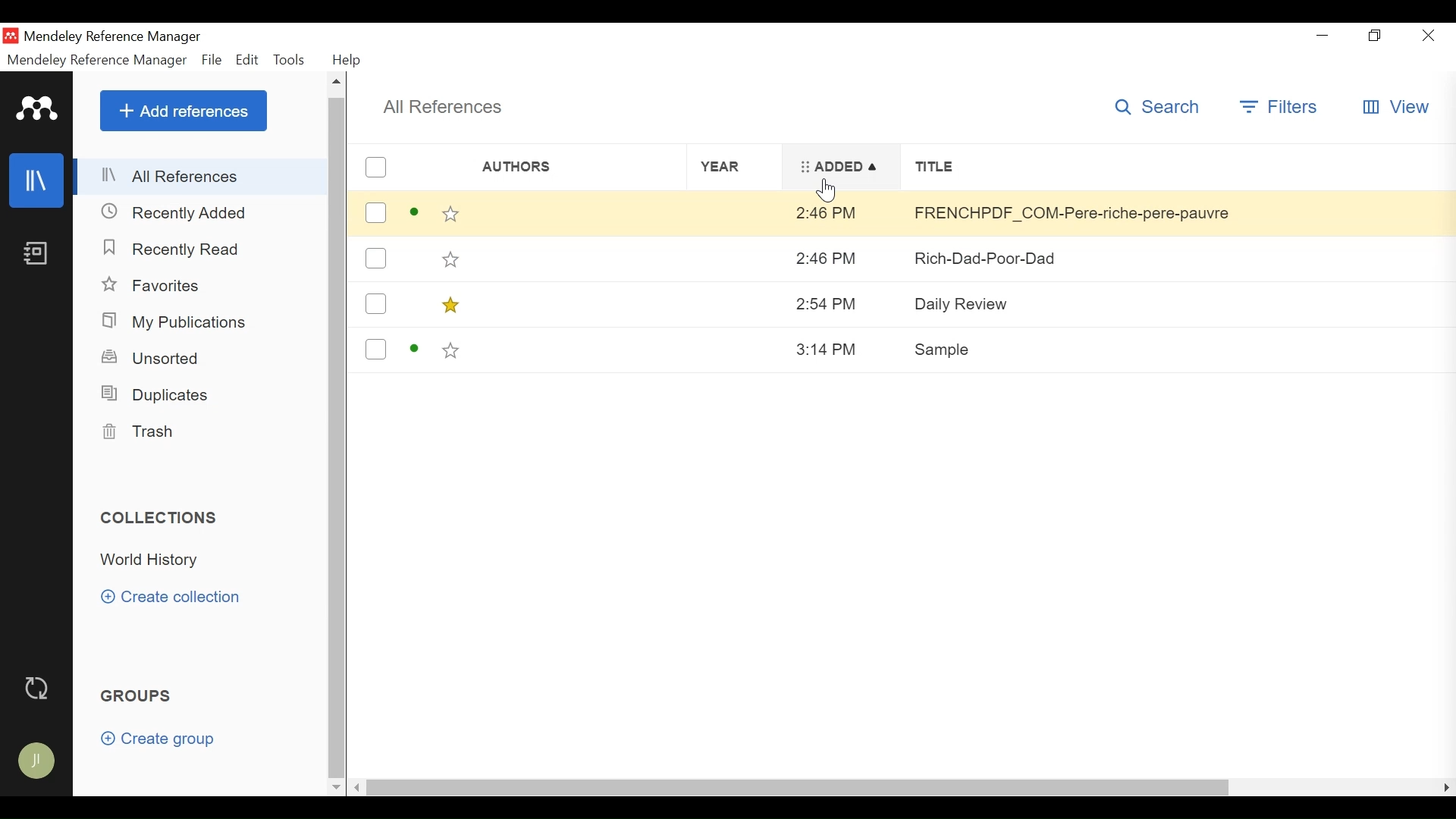 The height and width of the screenshot is (819, 1456). Describe the element at coordinates (451, 303) in the screenshot. I see `Toggle Favorites` at that location.